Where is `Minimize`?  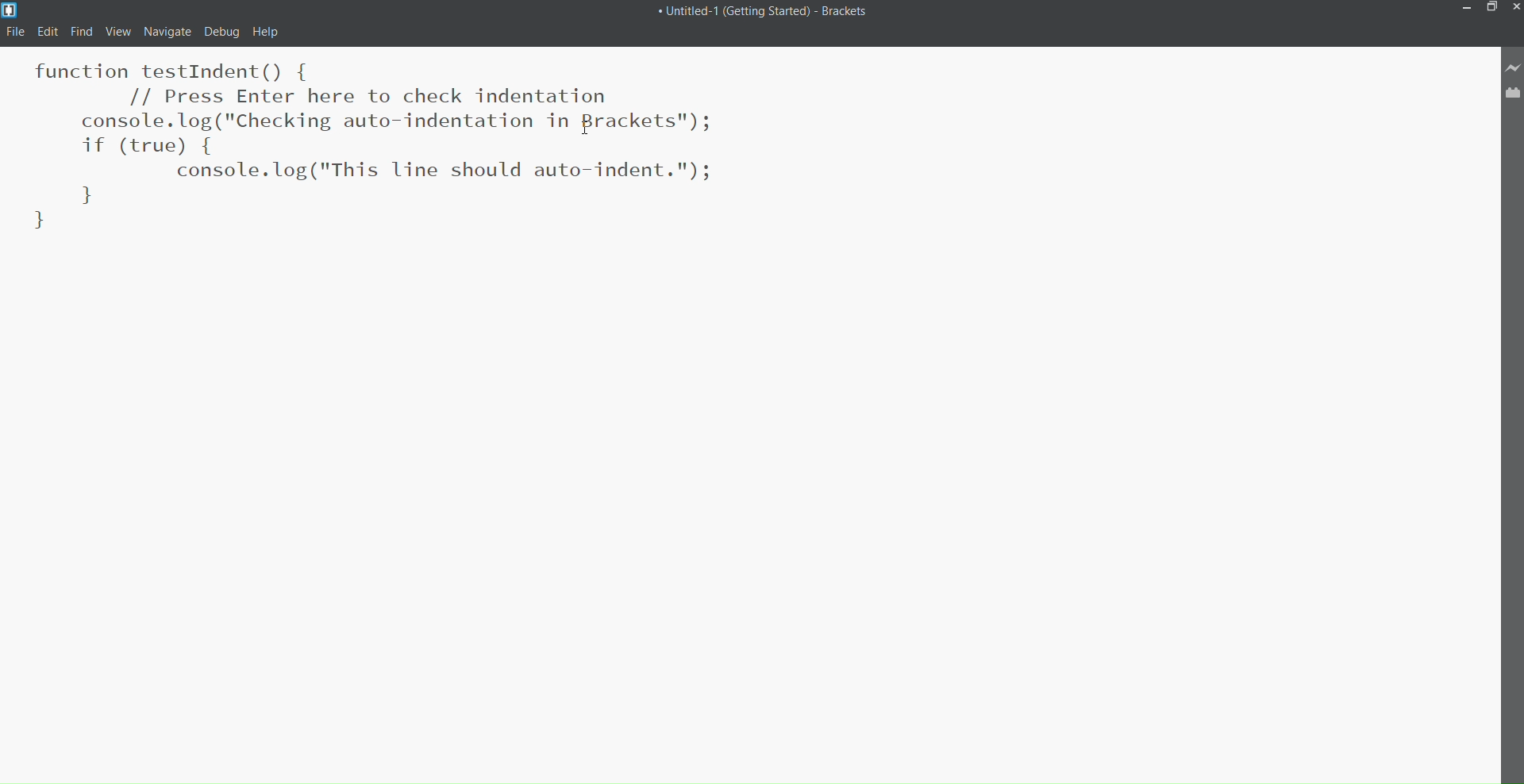
Minimize is located at coordinates (1464, 9).